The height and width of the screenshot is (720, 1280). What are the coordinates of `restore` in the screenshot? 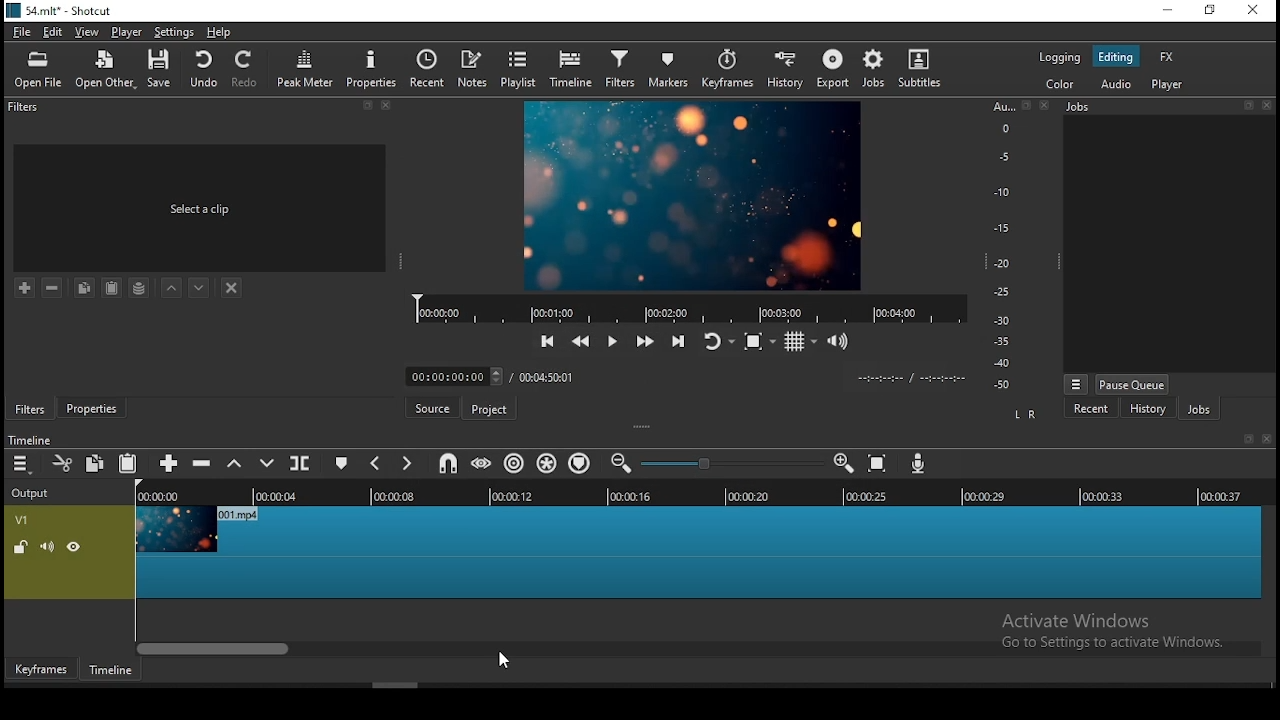 It's located at (367, 106).